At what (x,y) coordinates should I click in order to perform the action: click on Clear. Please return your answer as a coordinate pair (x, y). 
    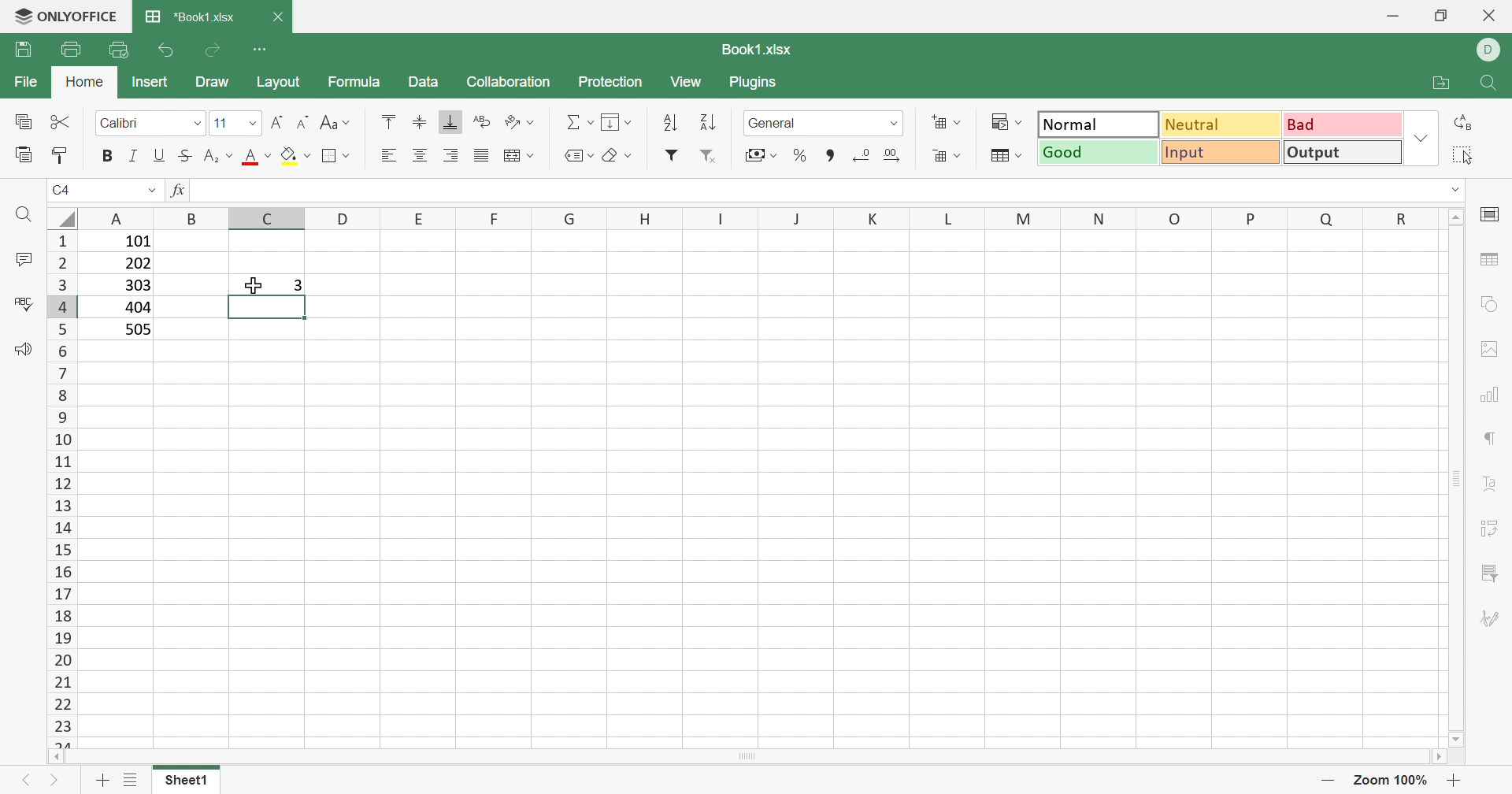
    Looking at the image, I should click on (616, 153).